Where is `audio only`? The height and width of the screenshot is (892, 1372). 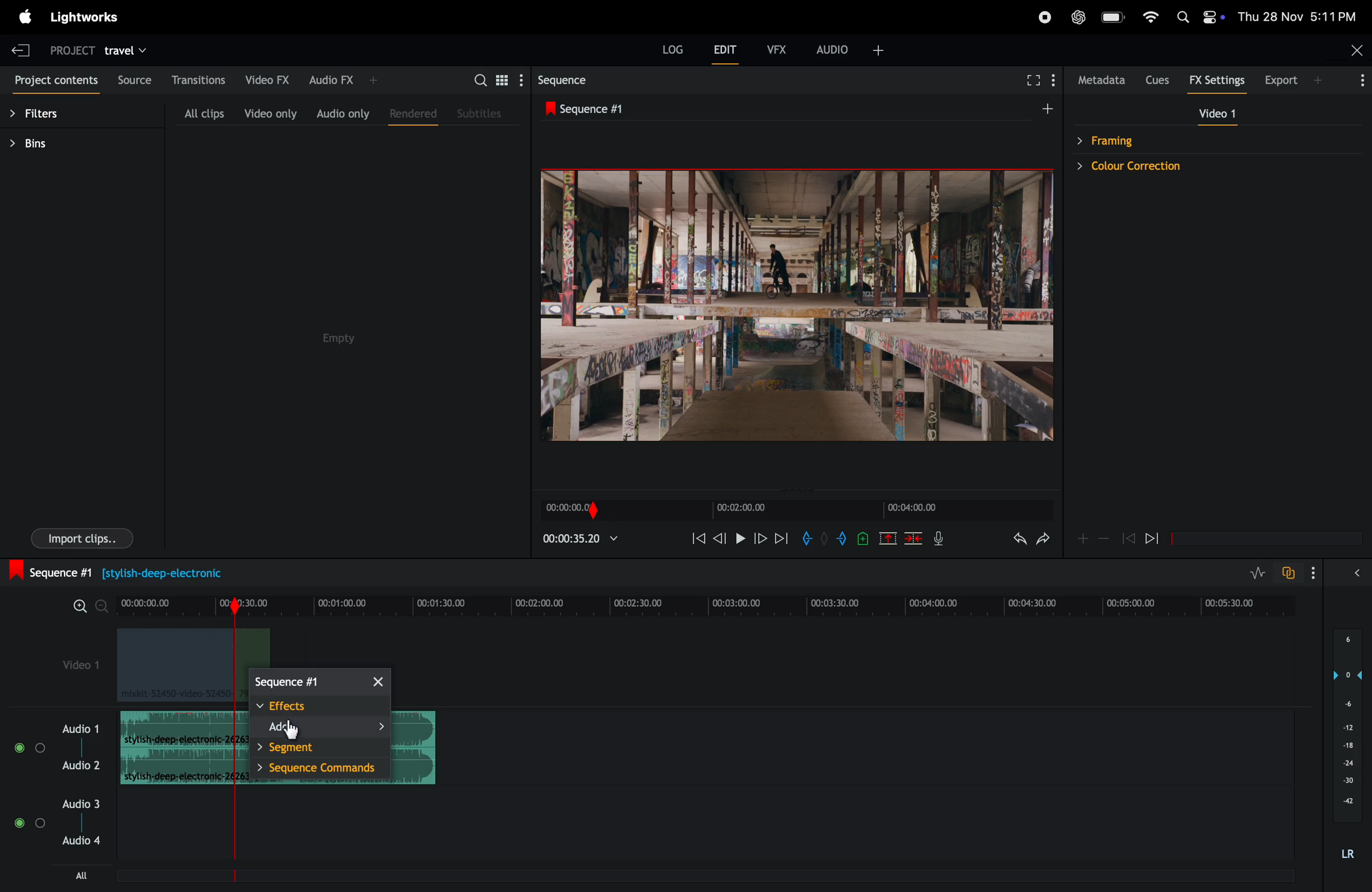 audio only is located at coordinates (344, 114).